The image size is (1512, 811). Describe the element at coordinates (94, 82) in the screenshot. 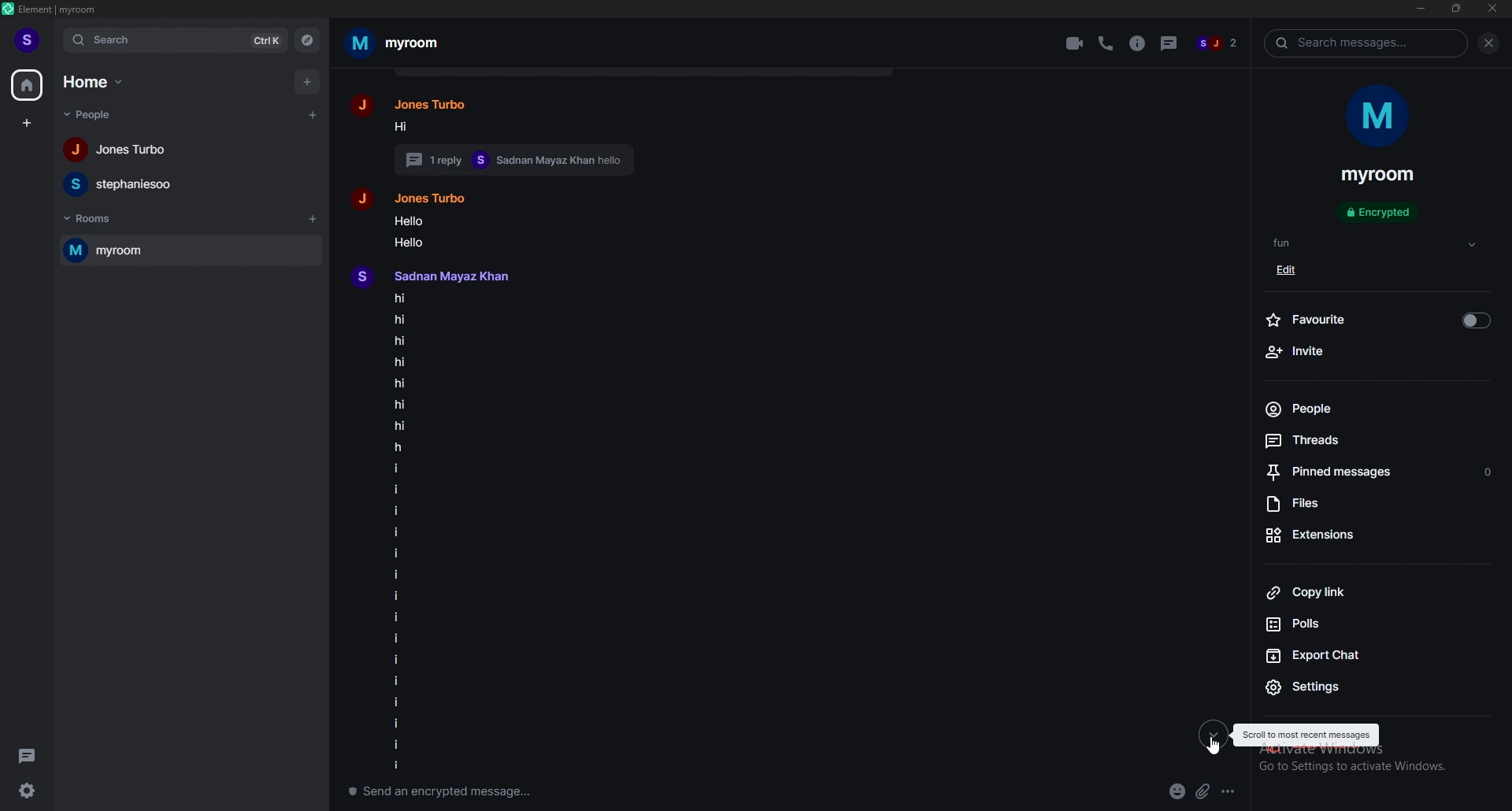

I see `home` at that location.